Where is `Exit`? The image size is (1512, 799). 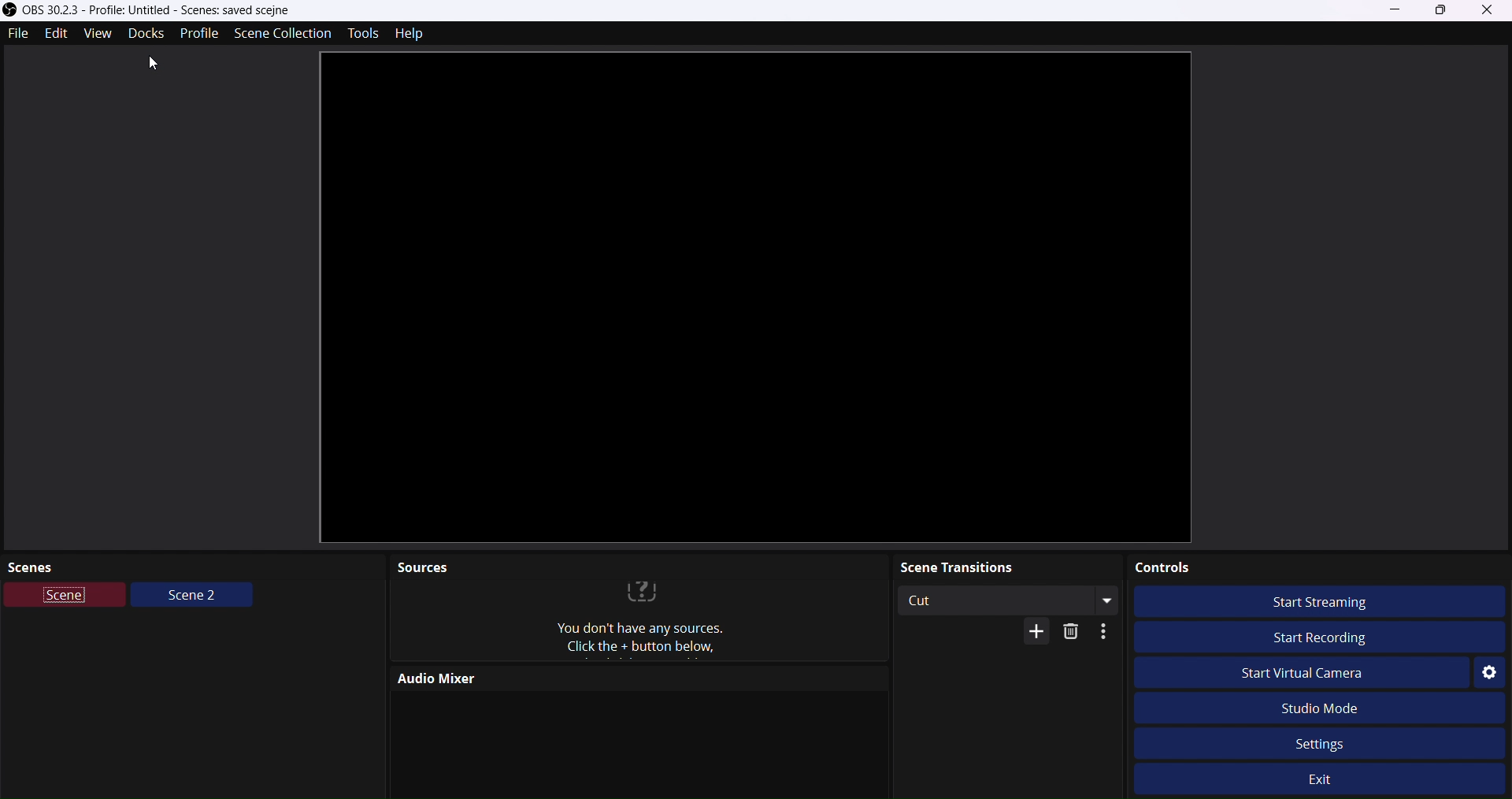 Exit is located at coordinates (1333, 782).